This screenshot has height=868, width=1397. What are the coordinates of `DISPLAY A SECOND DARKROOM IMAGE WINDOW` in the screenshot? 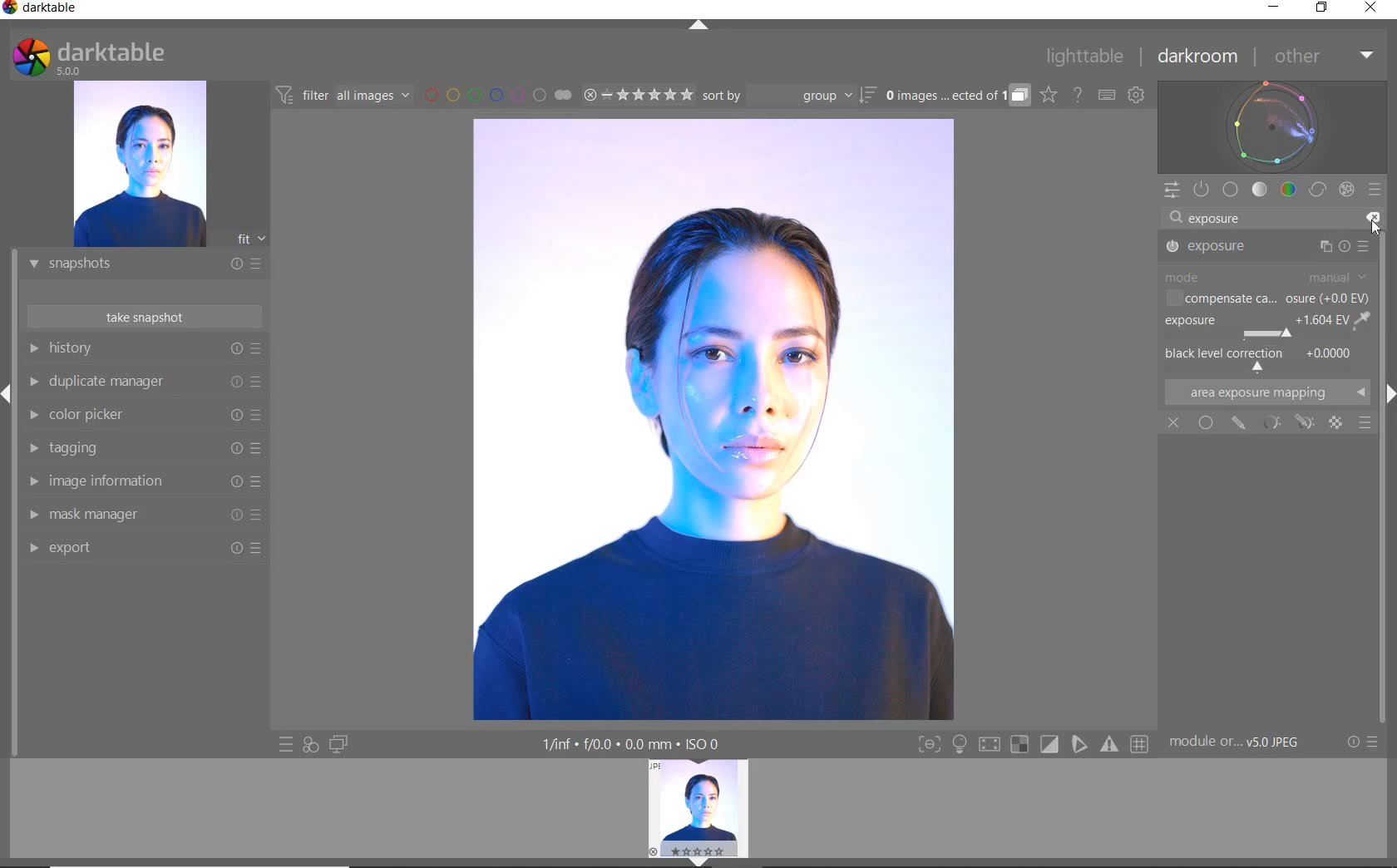 It's located at (338, 744).